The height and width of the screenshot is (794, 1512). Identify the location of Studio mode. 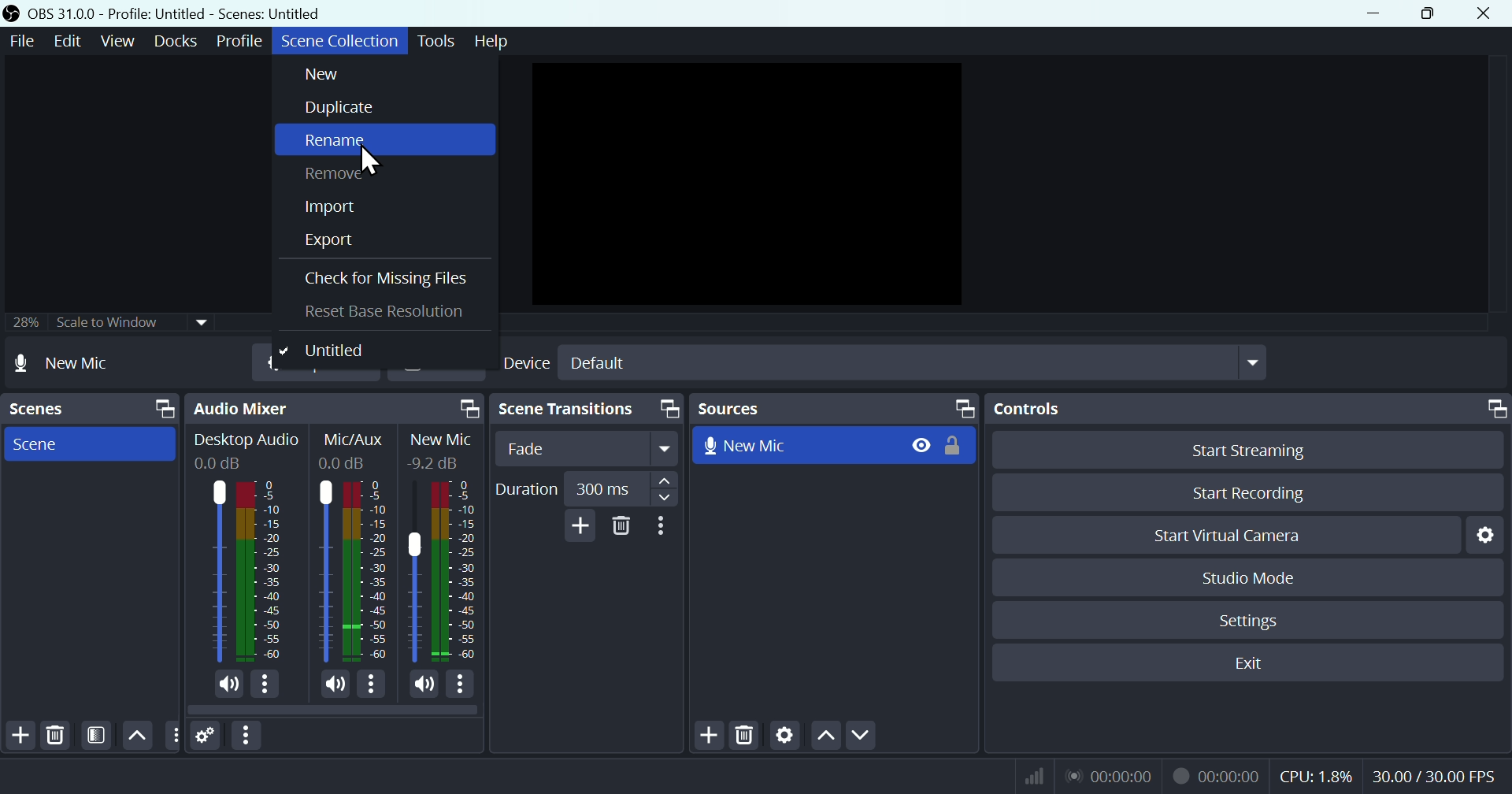
(1266, 580).